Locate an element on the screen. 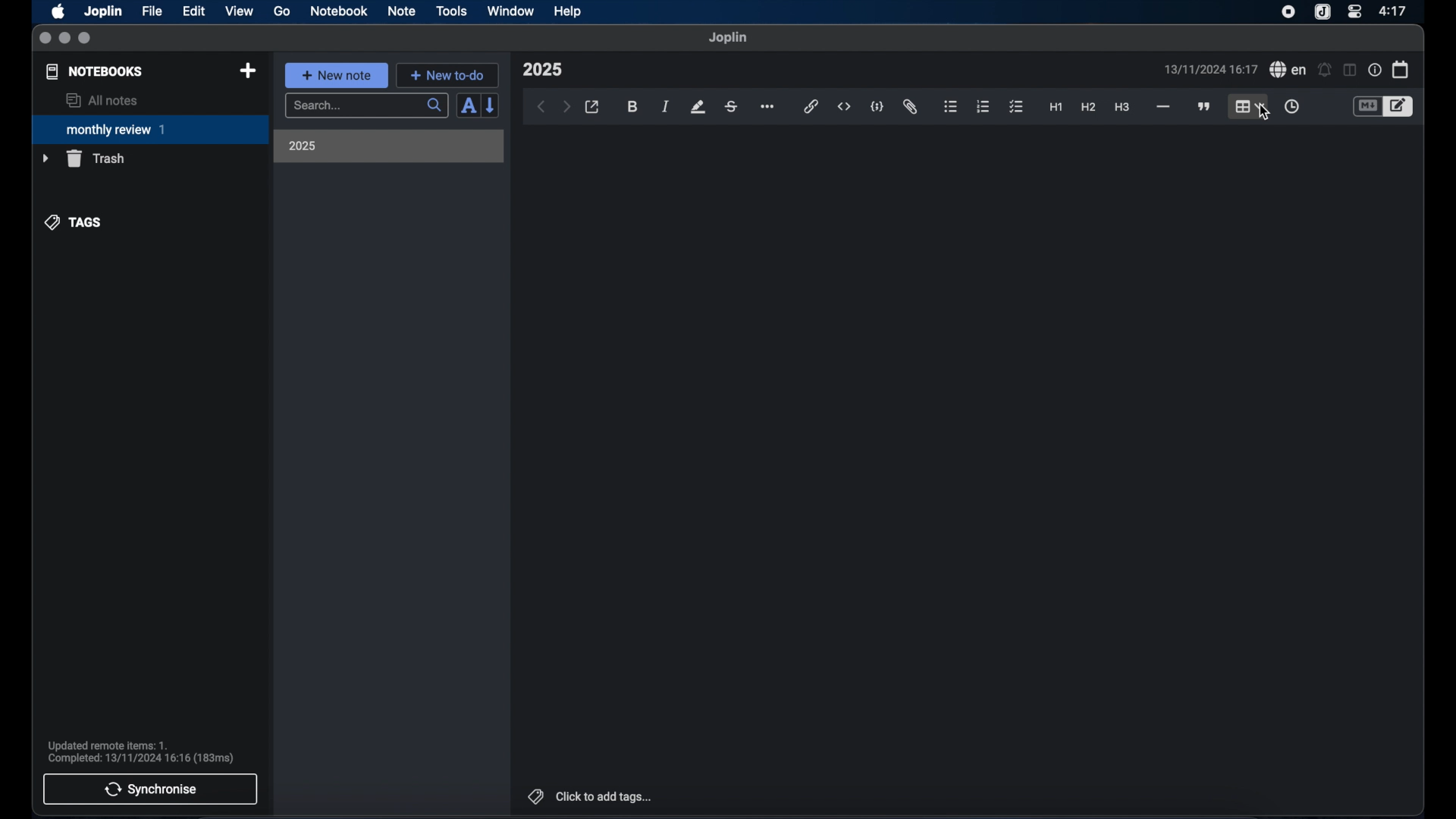  highlight is located at coordinates (698, 107).